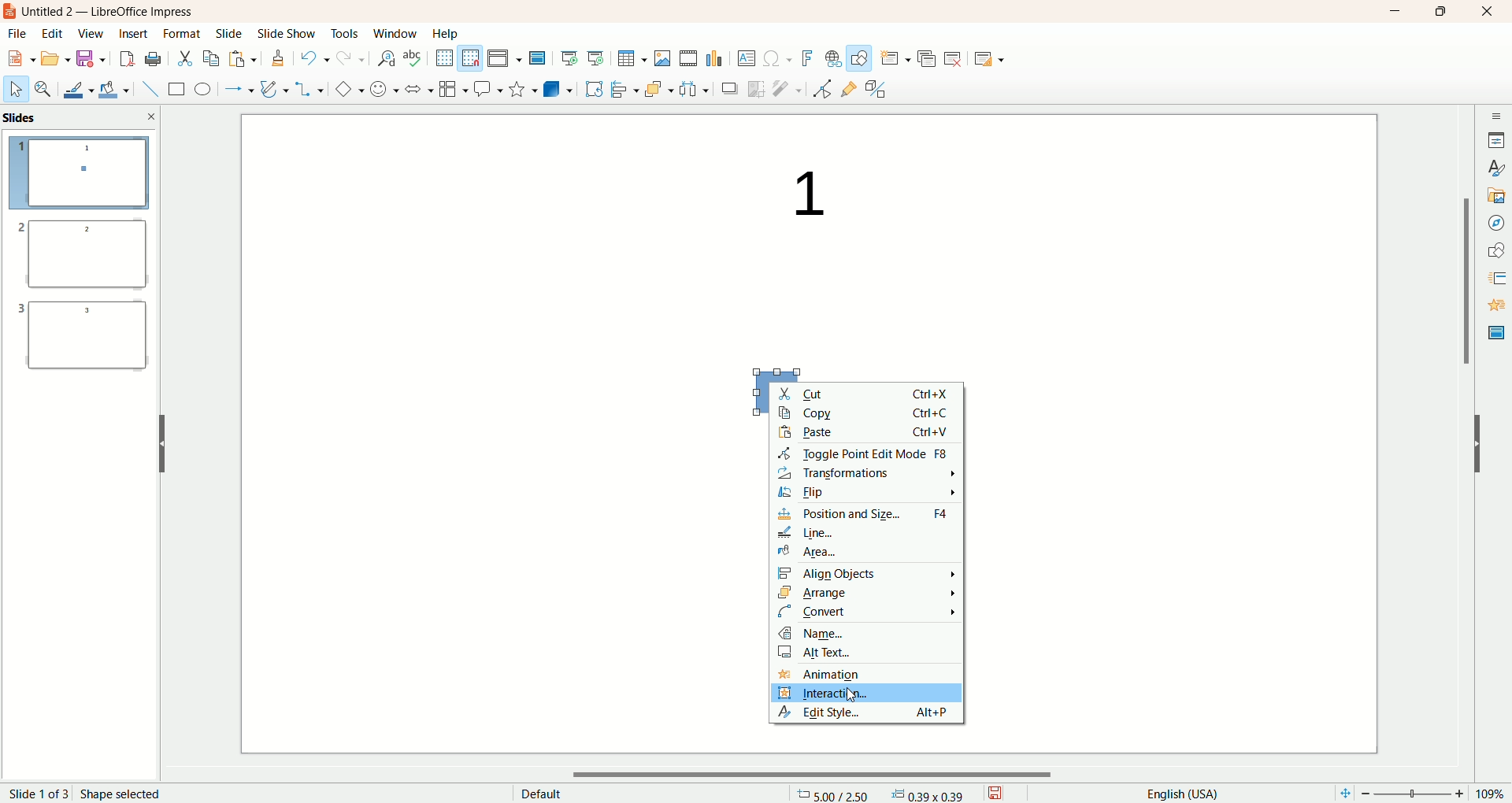  What do you see at coordinates (594, 88) in the screenshot?
I see `rotate` at bounding box center [594, 88].